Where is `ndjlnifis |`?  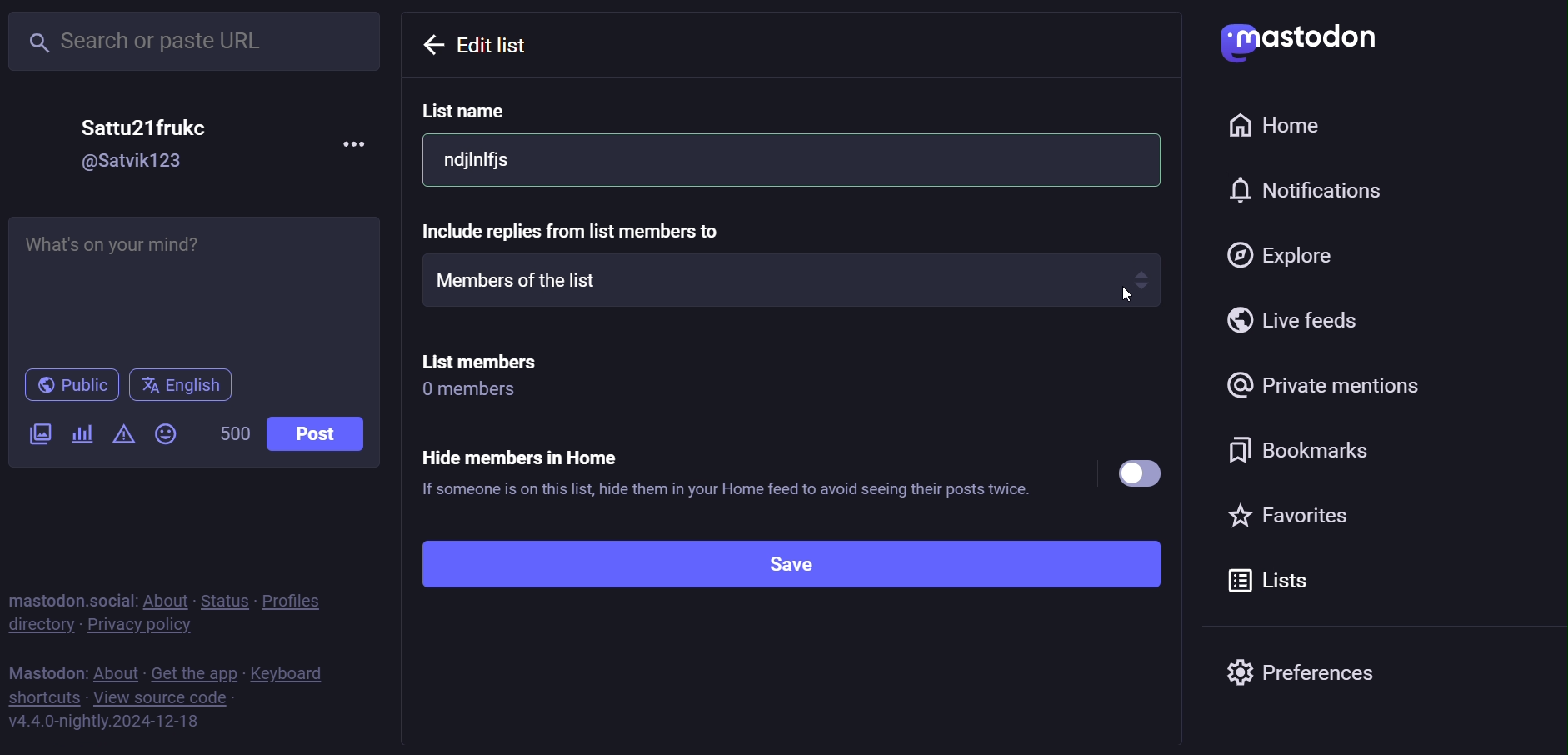
ndjlnifis | is located at coordinates (790, 161).